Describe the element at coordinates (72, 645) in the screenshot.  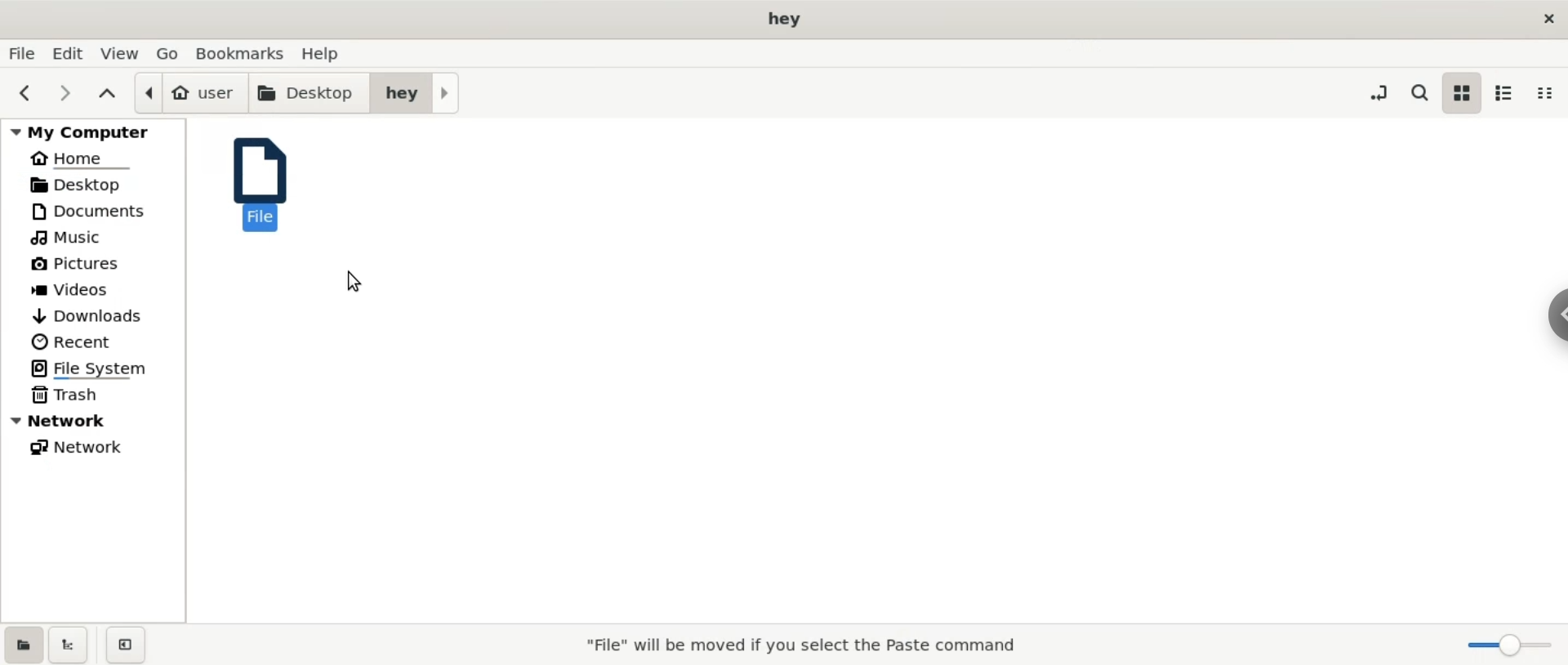
I see `show treeview` at that location.